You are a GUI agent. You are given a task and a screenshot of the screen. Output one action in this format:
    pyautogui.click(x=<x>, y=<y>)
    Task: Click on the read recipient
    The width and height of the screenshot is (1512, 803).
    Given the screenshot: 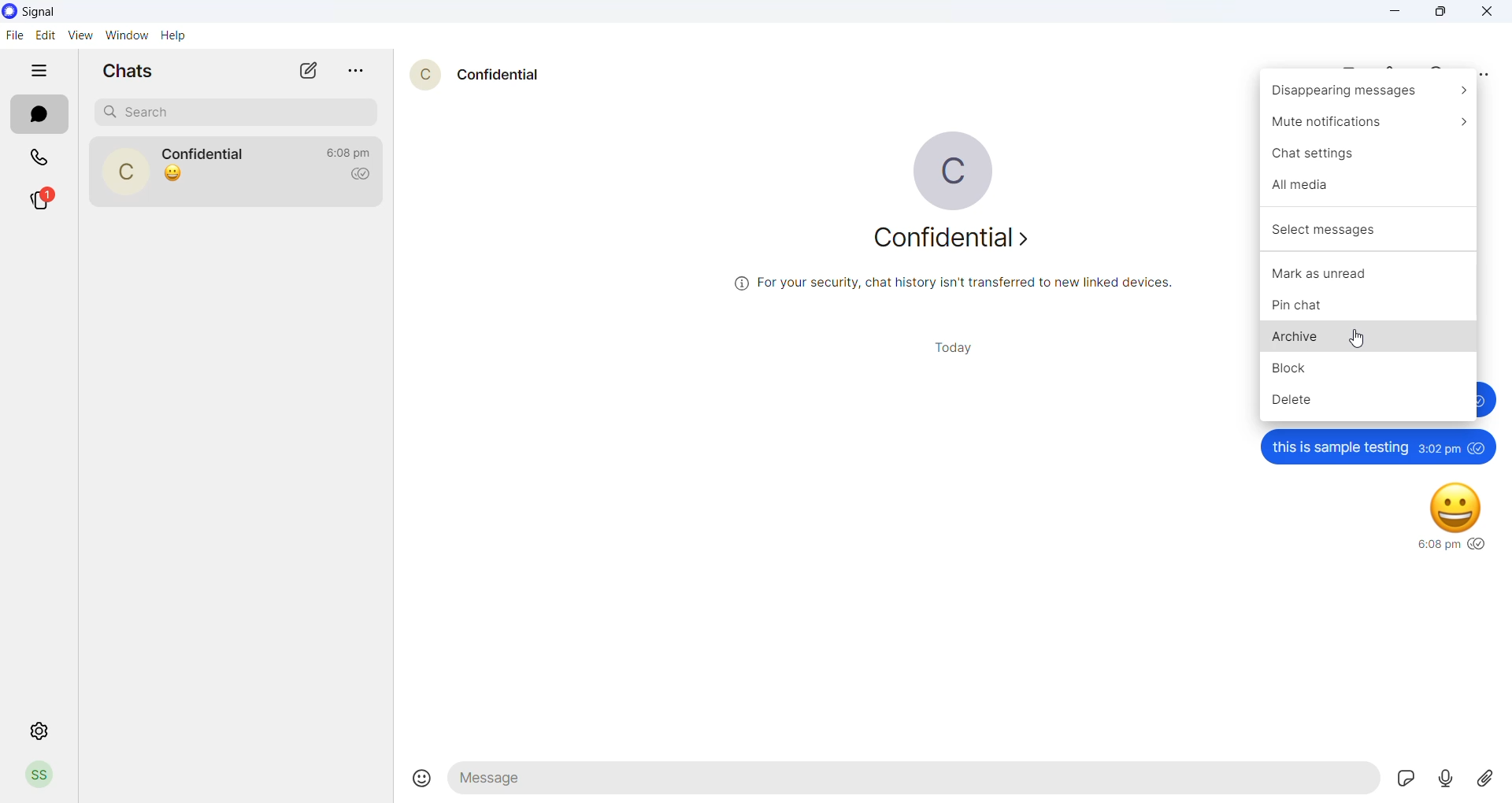 What is the action you would take?
    pyautogui.click(x=358, y=176)
    